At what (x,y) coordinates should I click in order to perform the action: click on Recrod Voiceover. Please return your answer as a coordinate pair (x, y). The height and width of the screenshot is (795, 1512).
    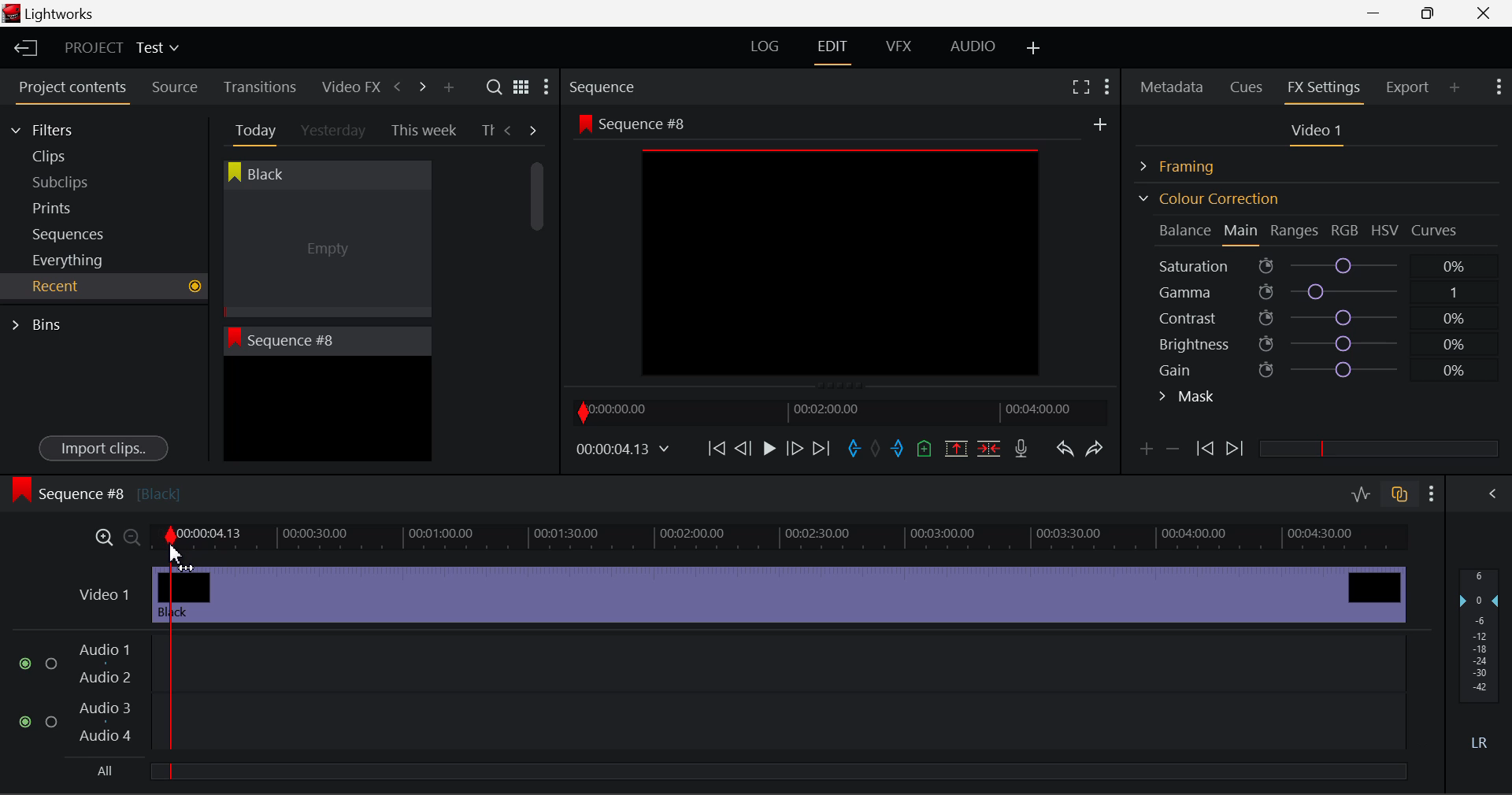
    Looking at the image, I should click on (1021, 448).